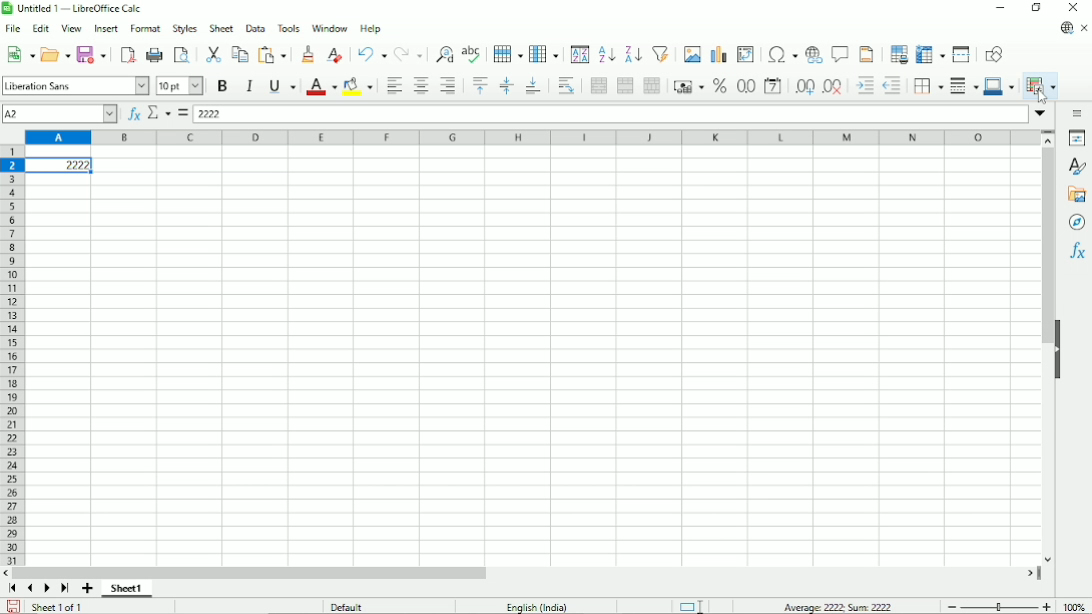 The height and width of the screenshot is (614, 1092). Describe the element at coordinates (127, 589) in the screenshot. I see `Sheet 1` at that location.